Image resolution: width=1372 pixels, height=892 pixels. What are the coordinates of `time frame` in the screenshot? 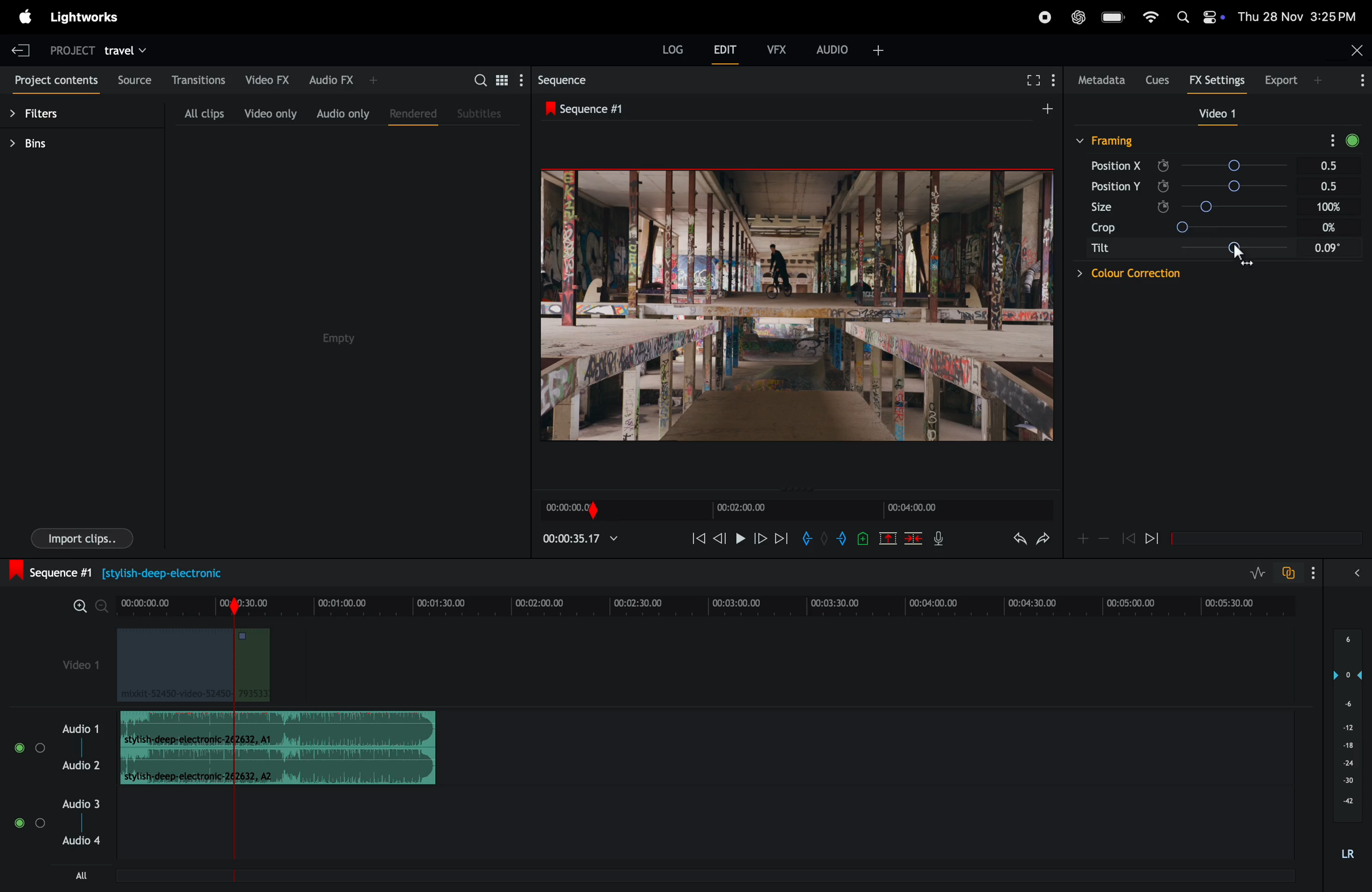 It's located at (579, 538).